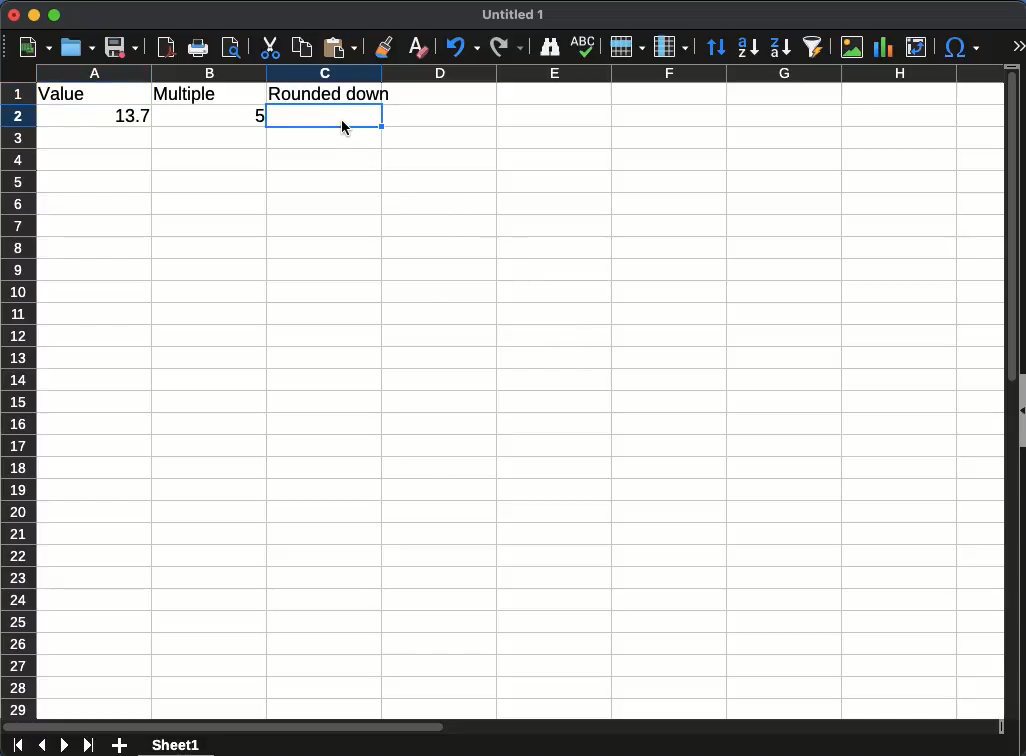 The width and height of the screenshot is (1026, 756). I want to click on sort, so click(716, 48).